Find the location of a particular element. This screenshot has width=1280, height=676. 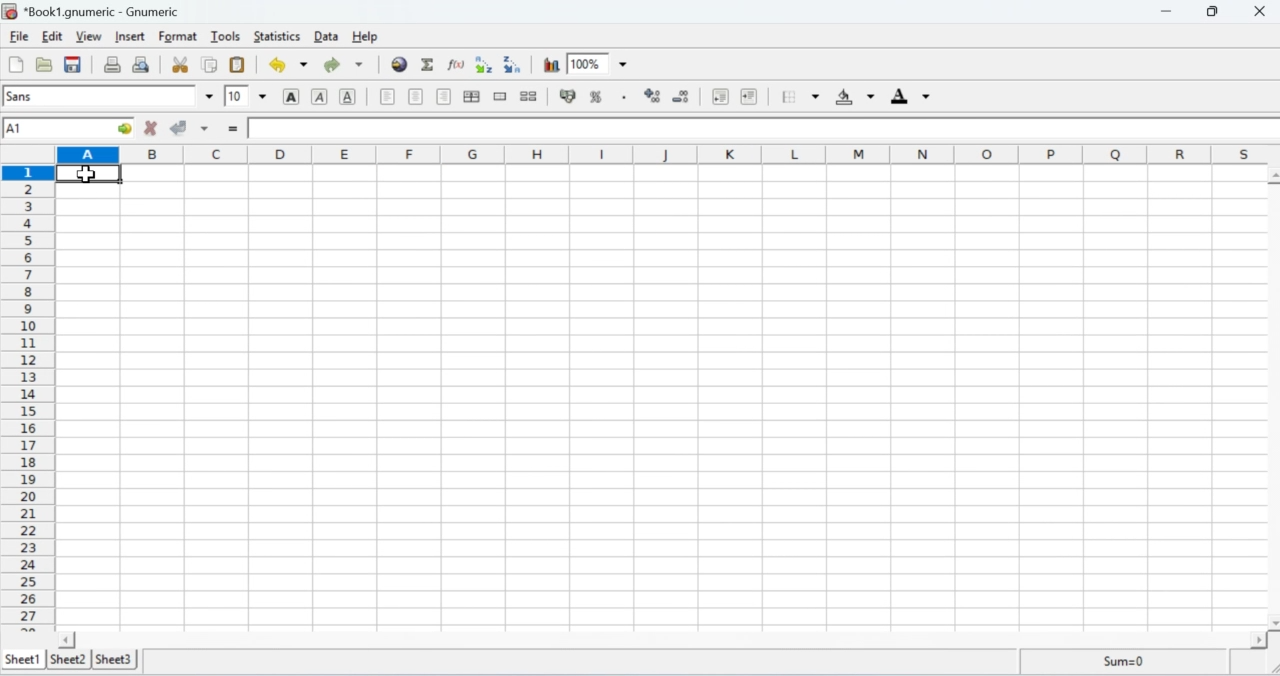

Insert is located at coordinates (131, 38).